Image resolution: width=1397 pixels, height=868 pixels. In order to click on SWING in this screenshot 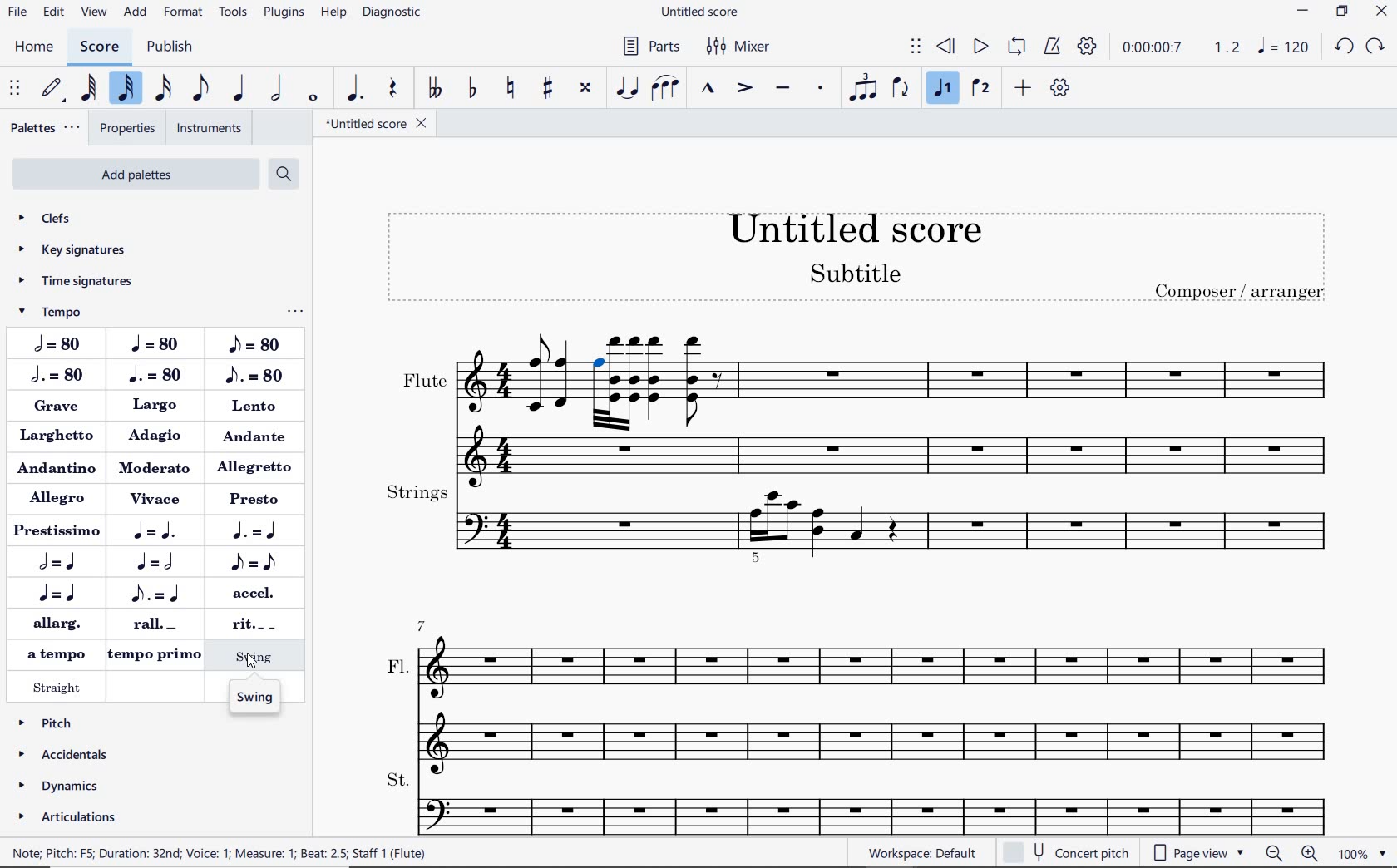, I will do `click(256, 657)`.